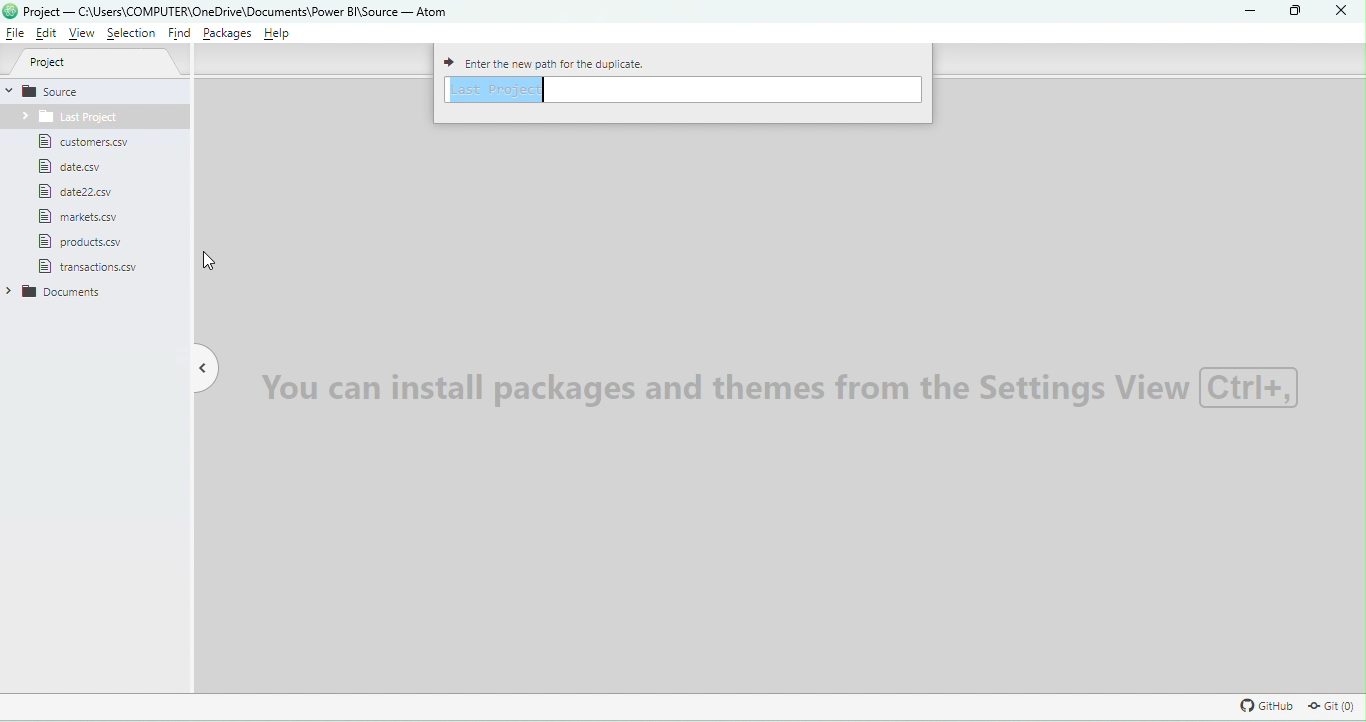  Describe the element at coordinates (87, 192) in the screenshot. I see `File` at that location.